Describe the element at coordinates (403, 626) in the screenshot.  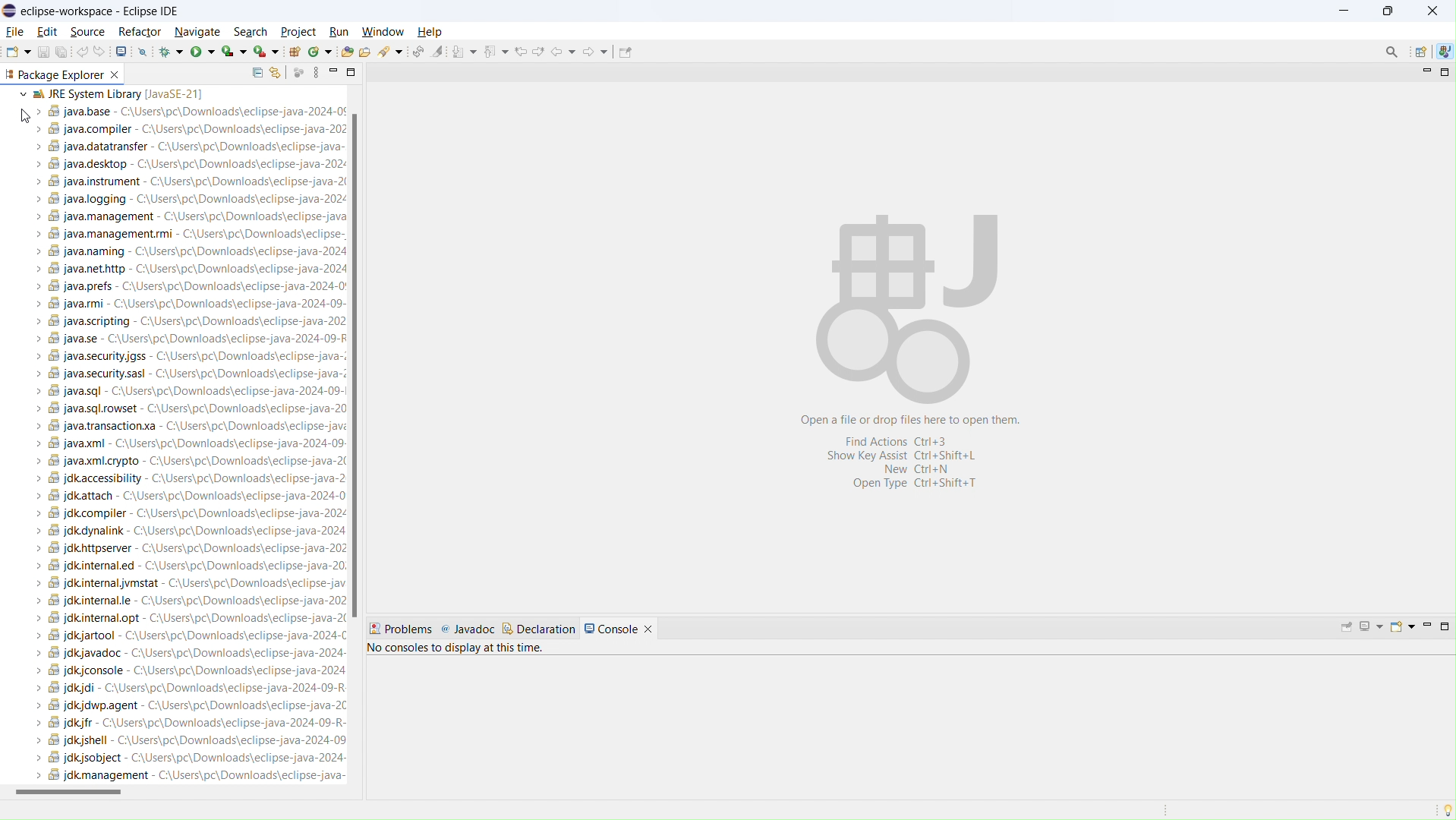
I see `problems` at that location.